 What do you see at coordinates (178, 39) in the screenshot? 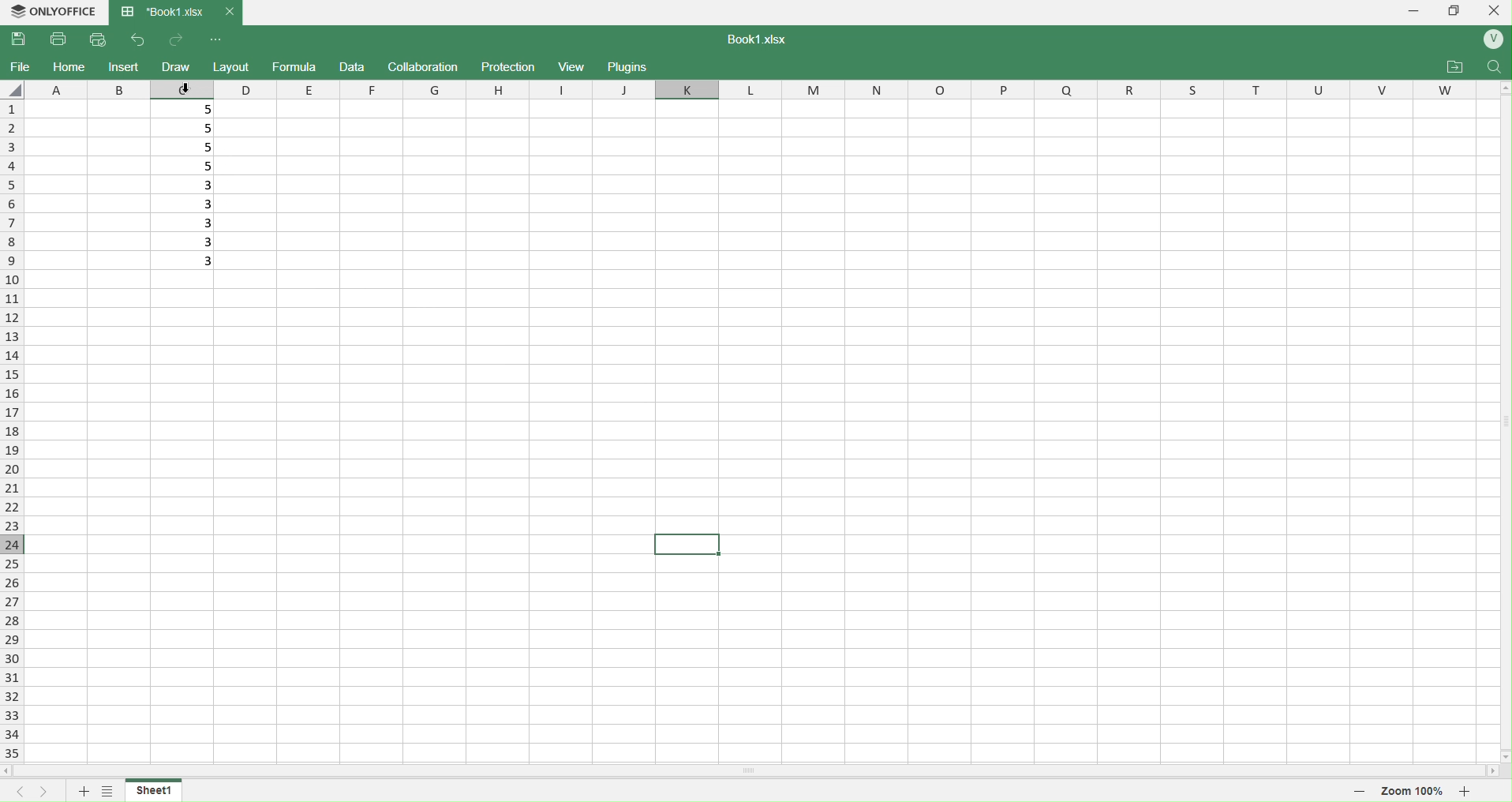
I see `redo` at bounding box center [178, 39].